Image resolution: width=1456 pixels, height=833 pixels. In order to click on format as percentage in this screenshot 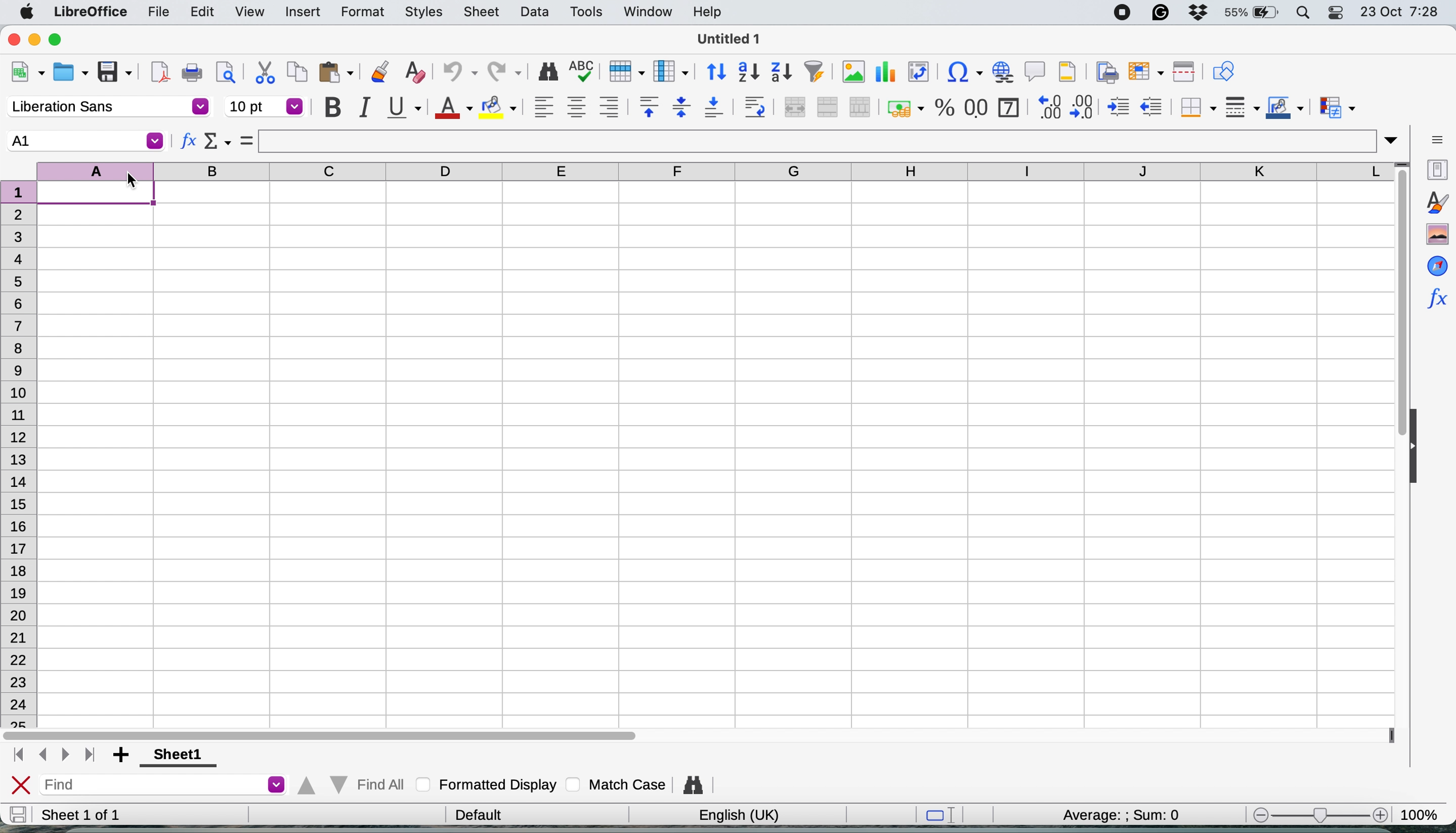, I will do `click(941, 107)`.